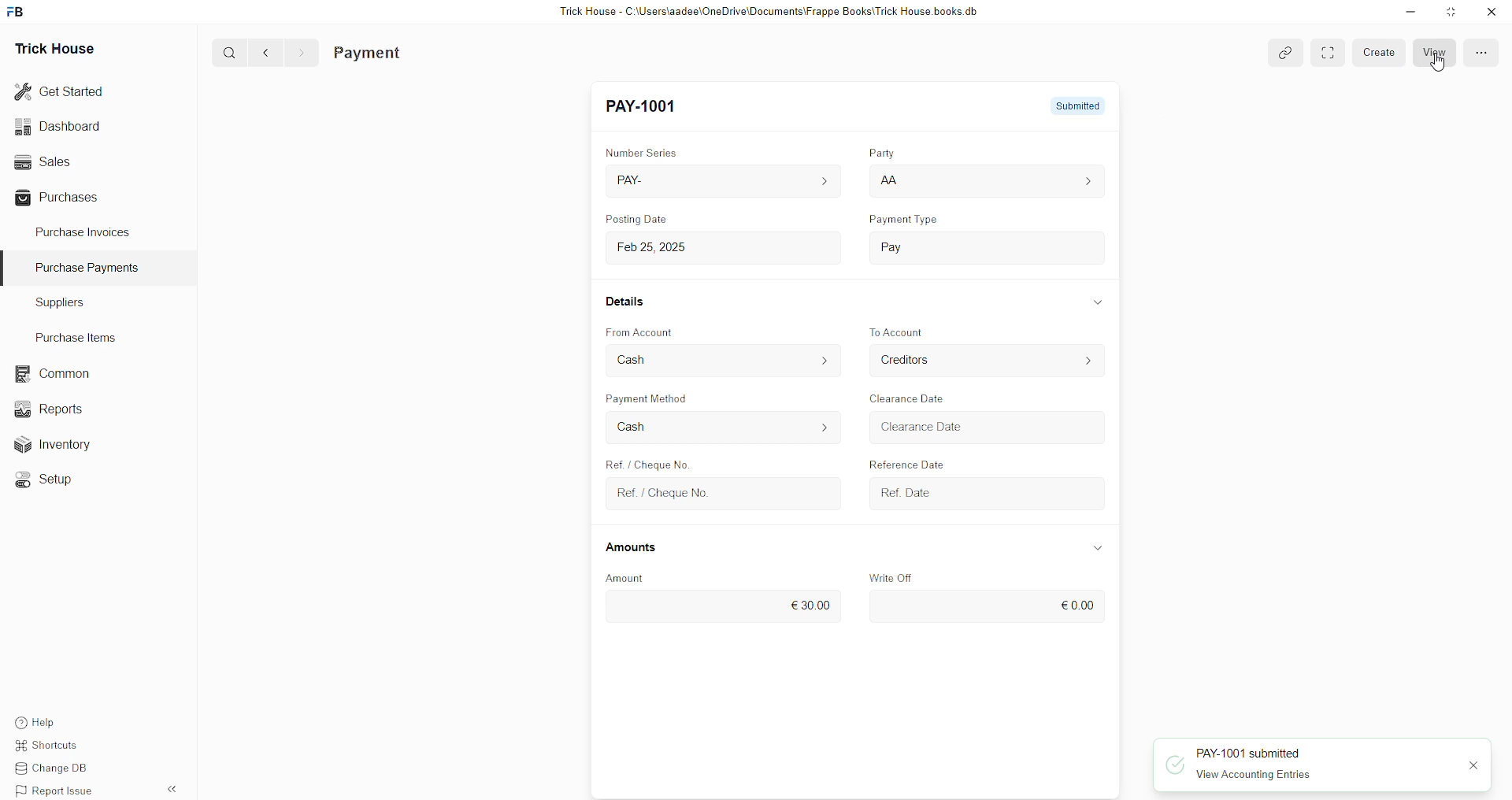 This screenshot has height=800, width=1512. What do you see at coordinates (652, 152) in the screenshot?
I see `Number Series` at bounding box center [652, 152].